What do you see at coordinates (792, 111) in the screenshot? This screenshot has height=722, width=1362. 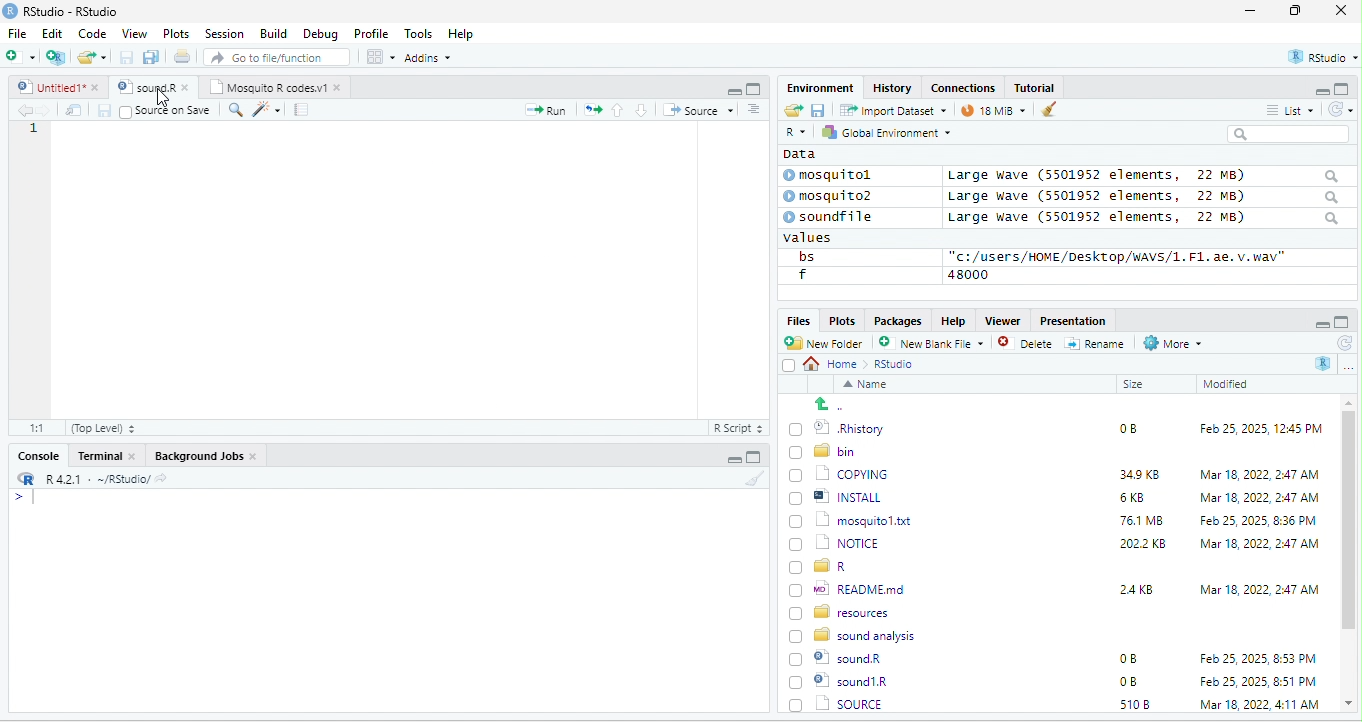 I see `open` at bounding box center [792, 111].